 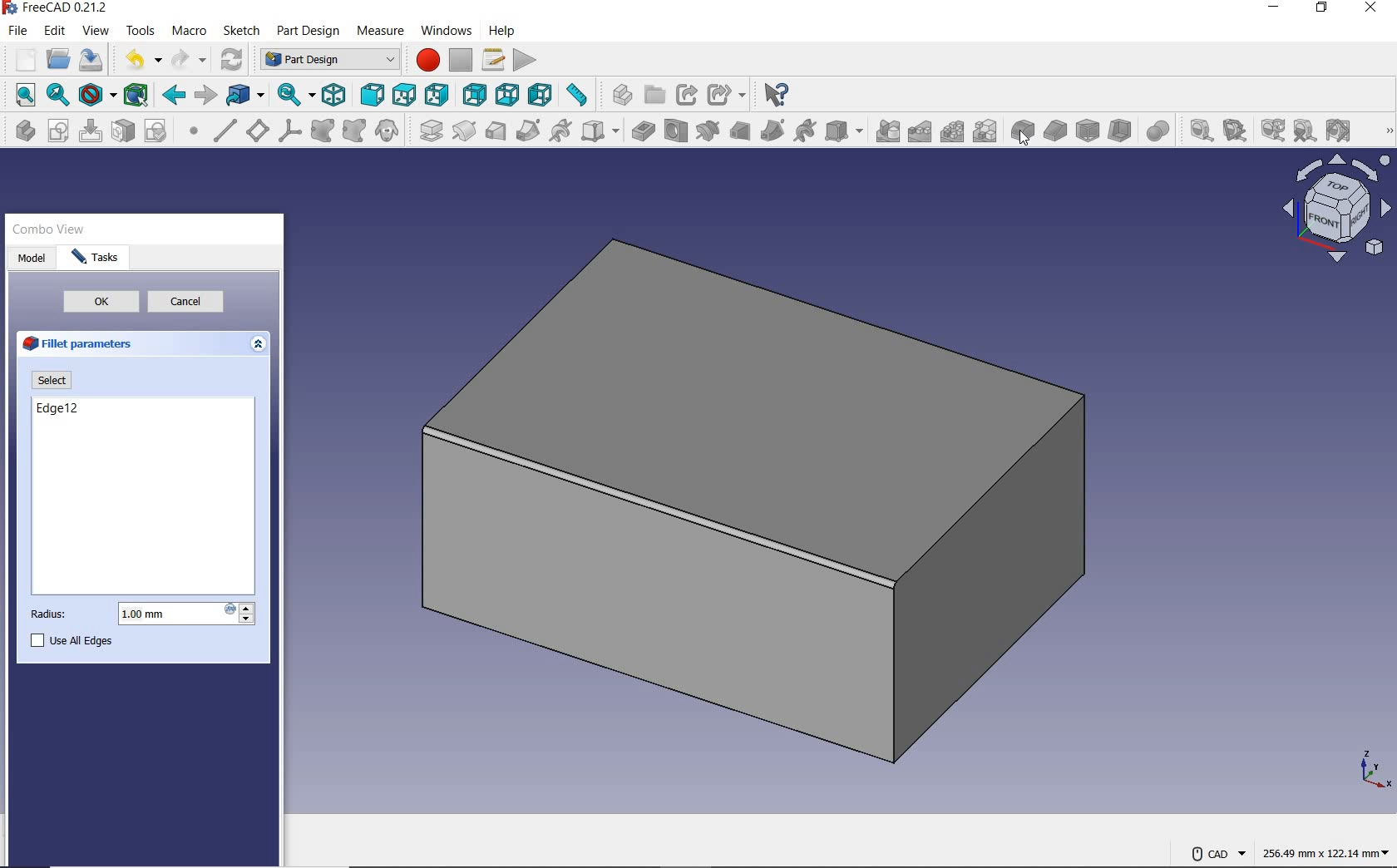 I want to click on ok, so click(x=101, y=303).